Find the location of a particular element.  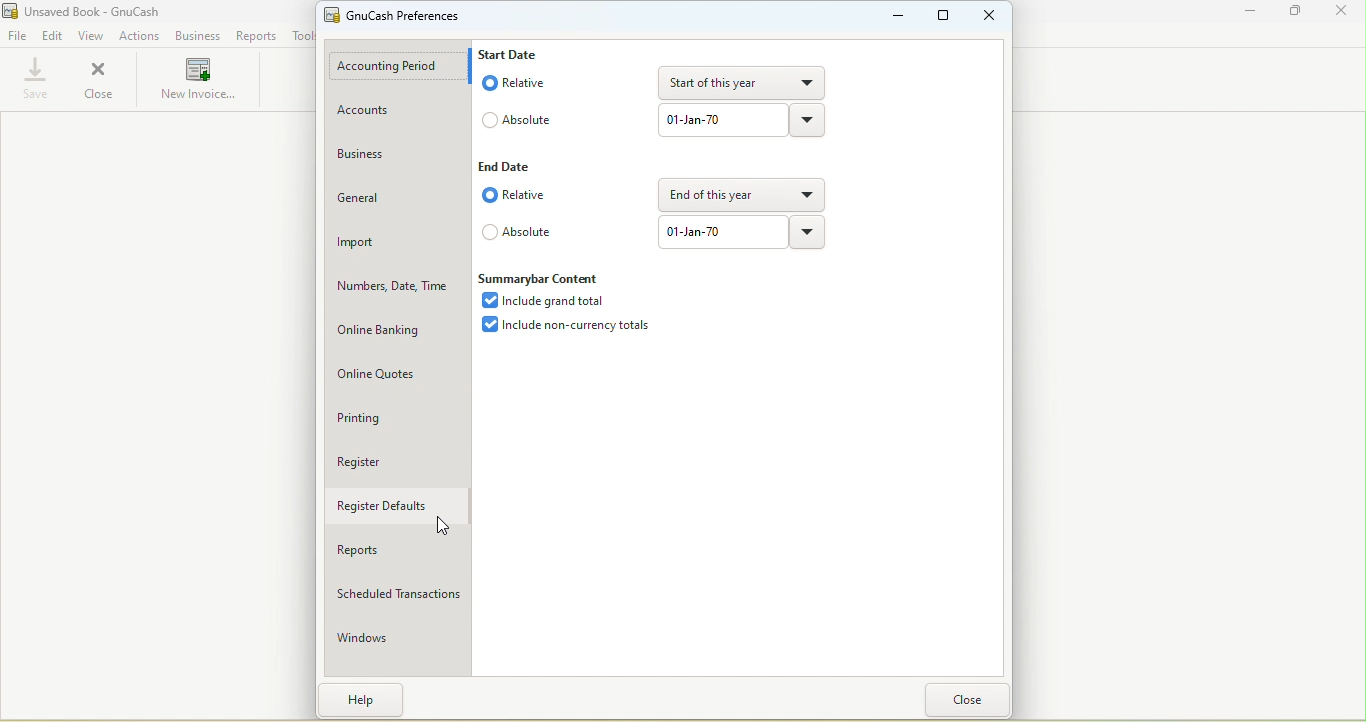

GnuCash preferences is located at coordinates (396, 16).